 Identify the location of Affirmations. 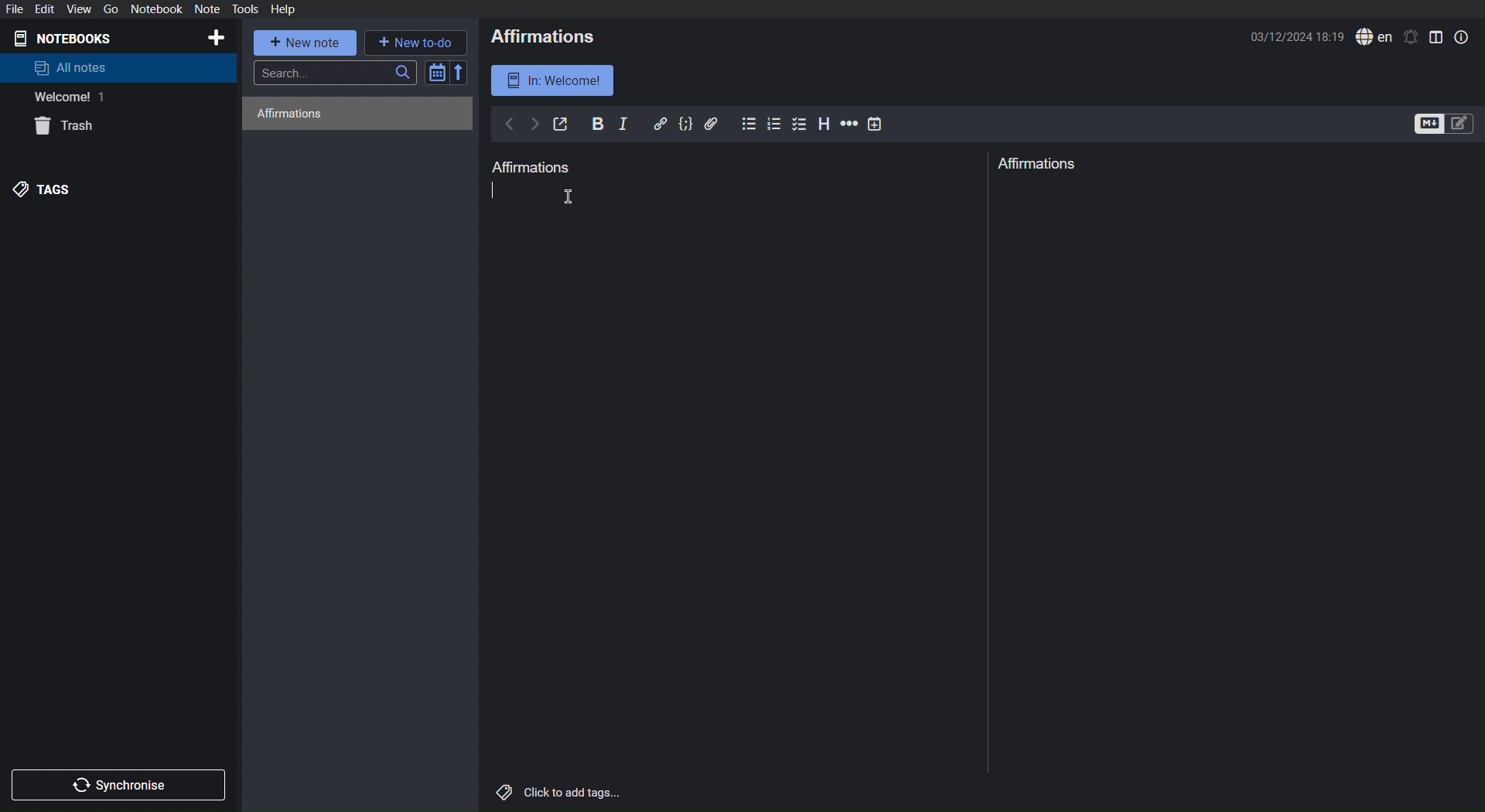
(1039, 164).